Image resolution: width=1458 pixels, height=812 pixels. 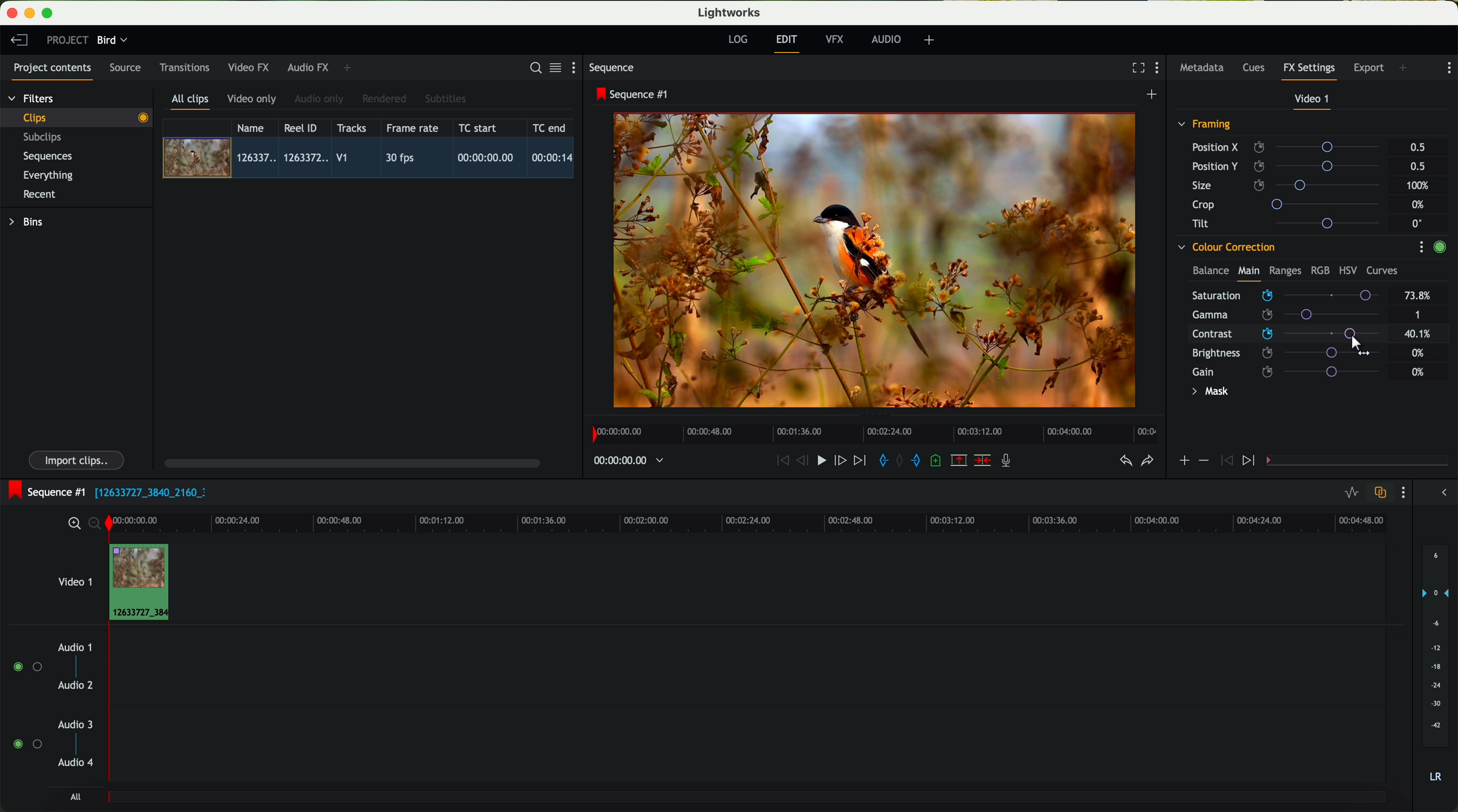 I want to click on framing, so click(x=1205, y=126).